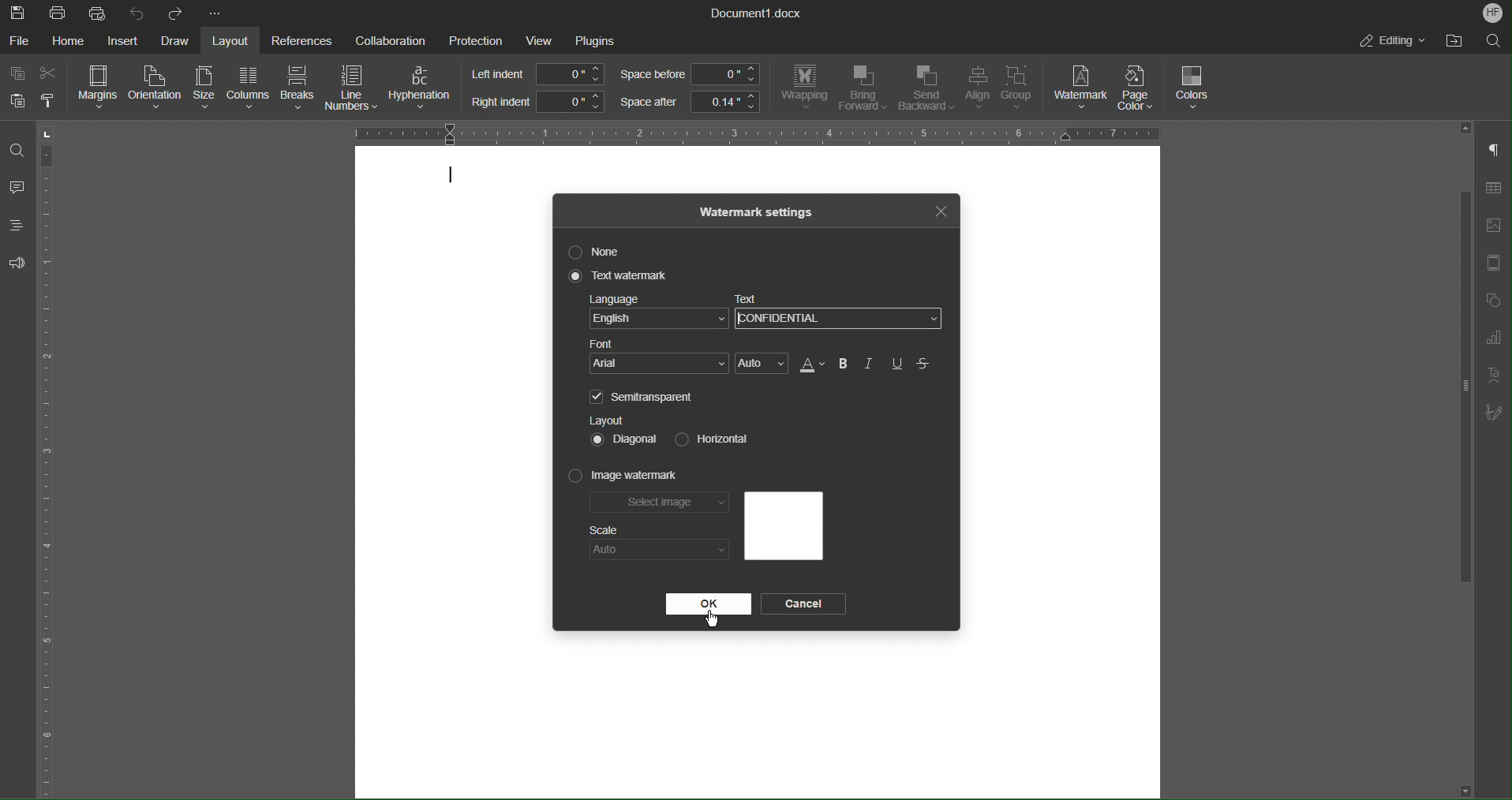  I want to click on Group, so click(1022, 90).